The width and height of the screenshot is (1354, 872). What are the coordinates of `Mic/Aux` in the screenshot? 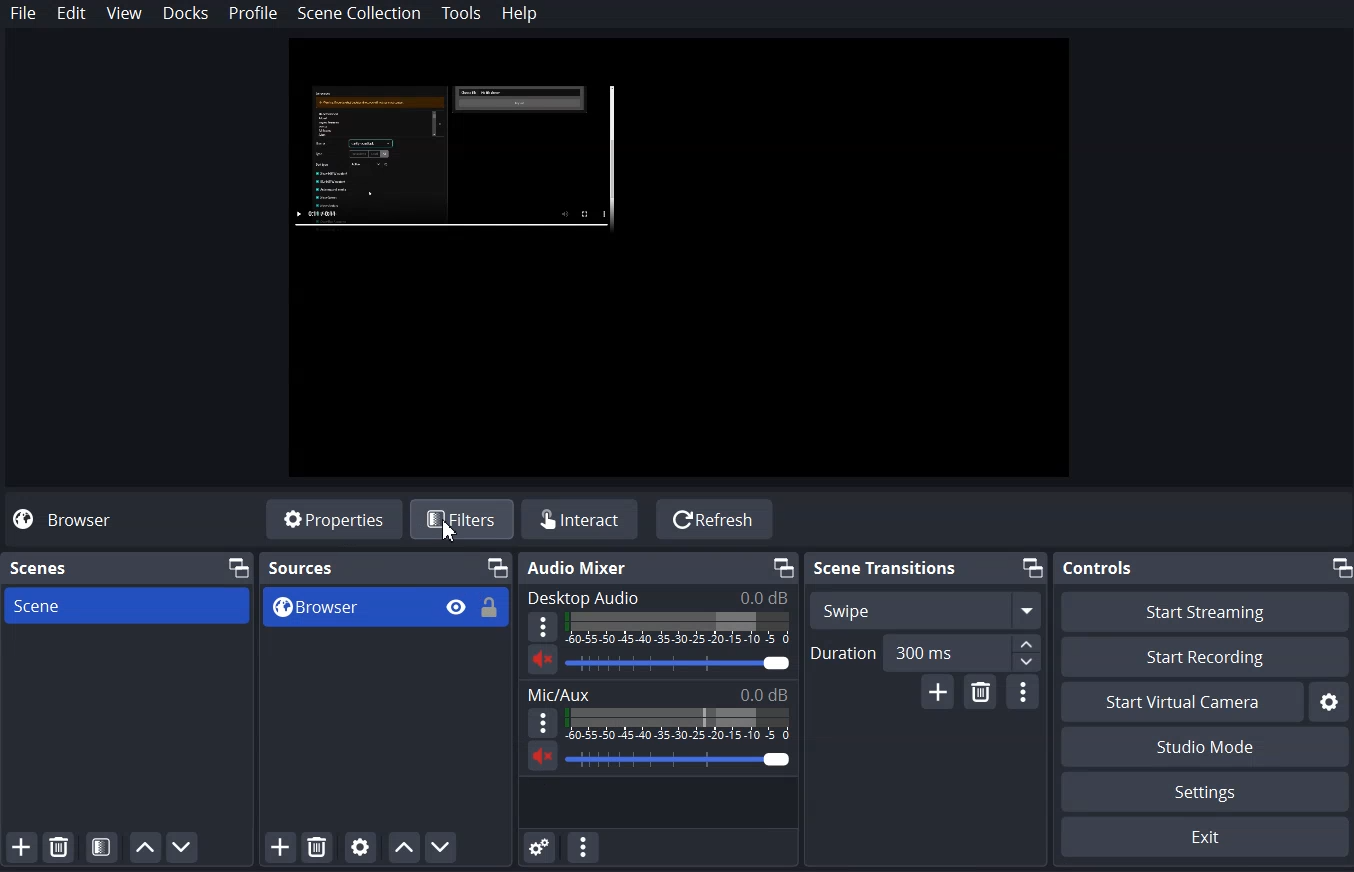 It's located at (658, 693).